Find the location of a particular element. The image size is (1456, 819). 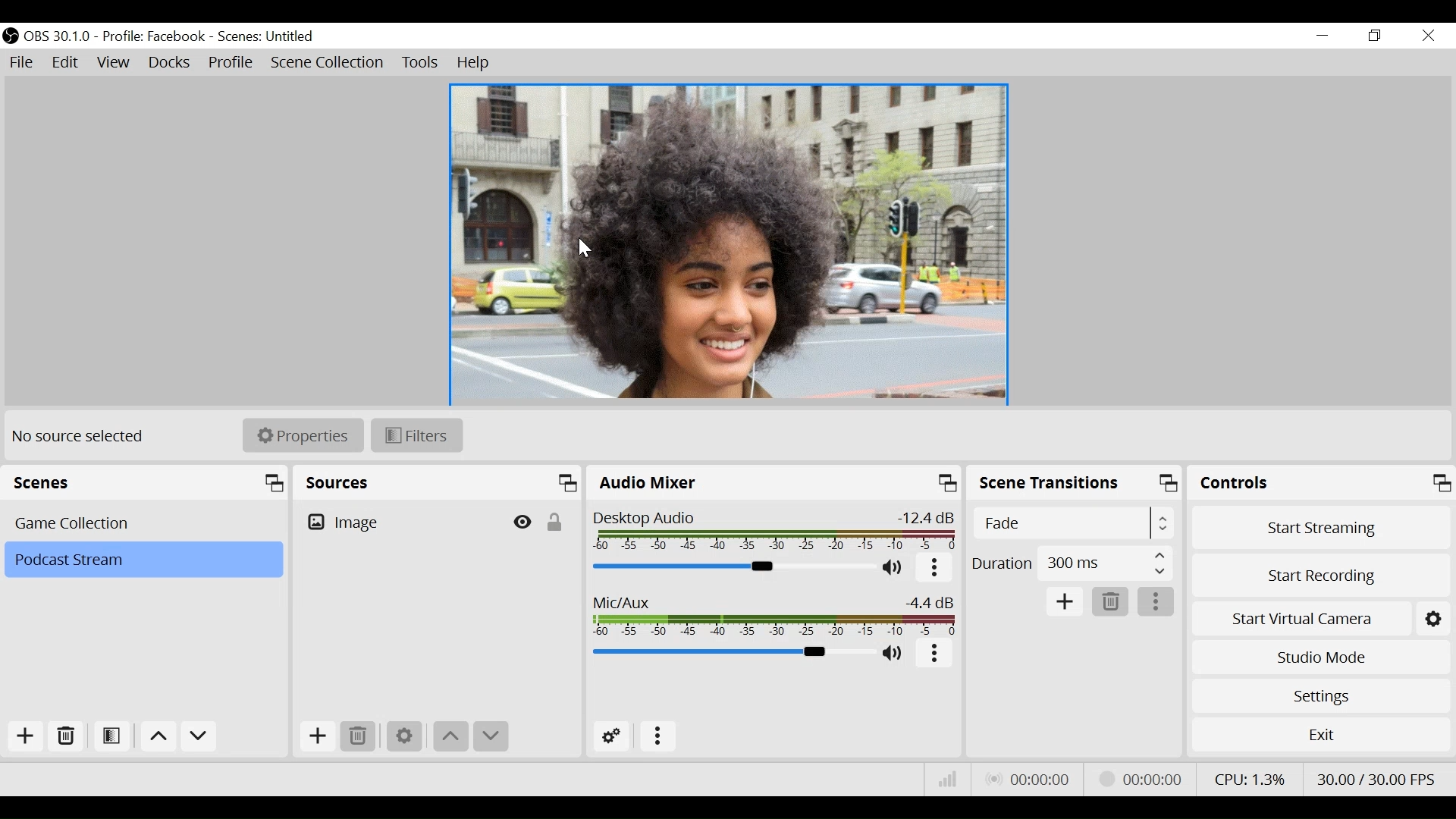

Remove is located at coordinates (359, 738).